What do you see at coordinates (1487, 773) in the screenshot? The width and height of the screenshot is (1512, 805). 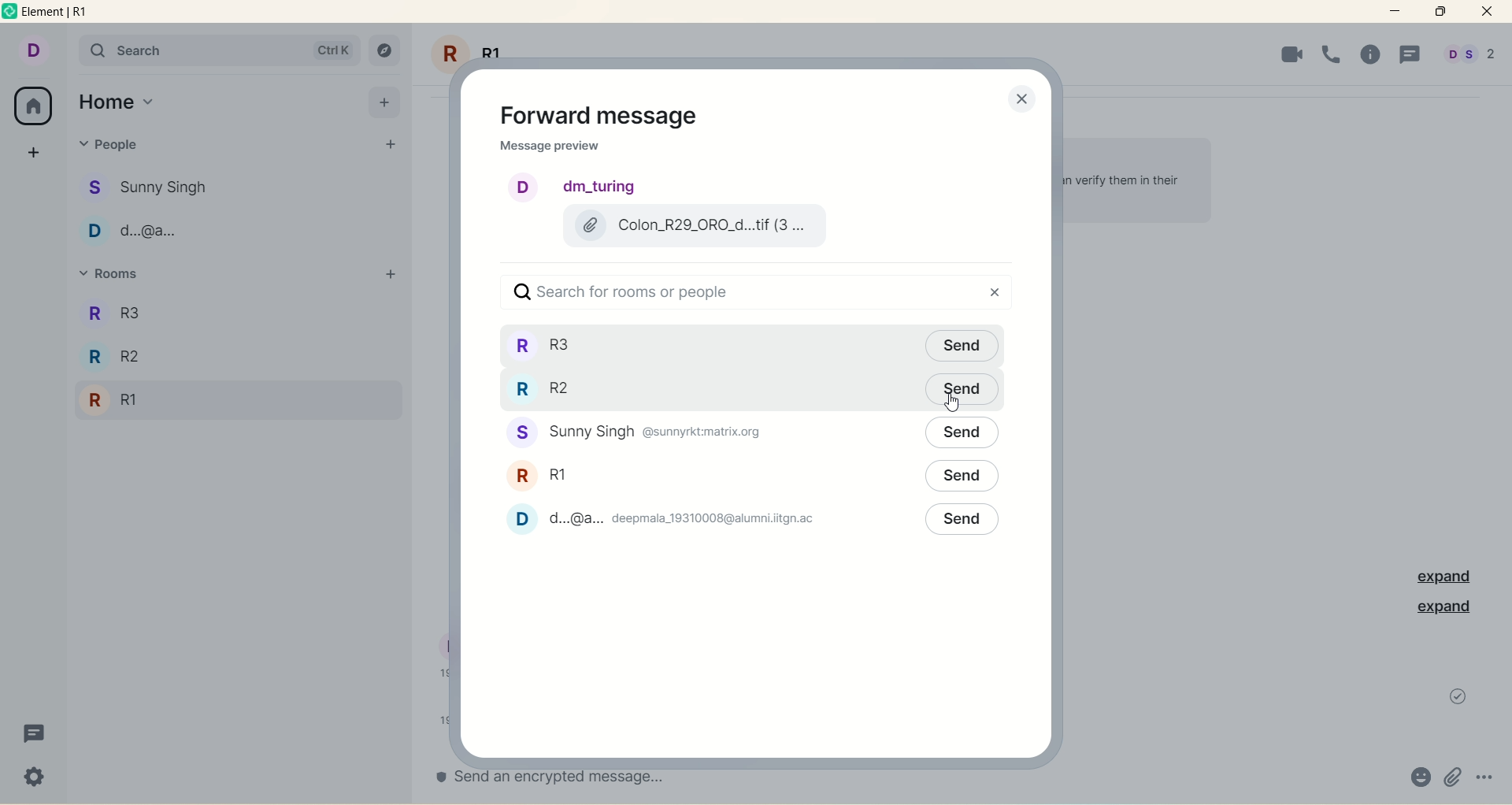 I see `options` at bounding box center [1487, 773].